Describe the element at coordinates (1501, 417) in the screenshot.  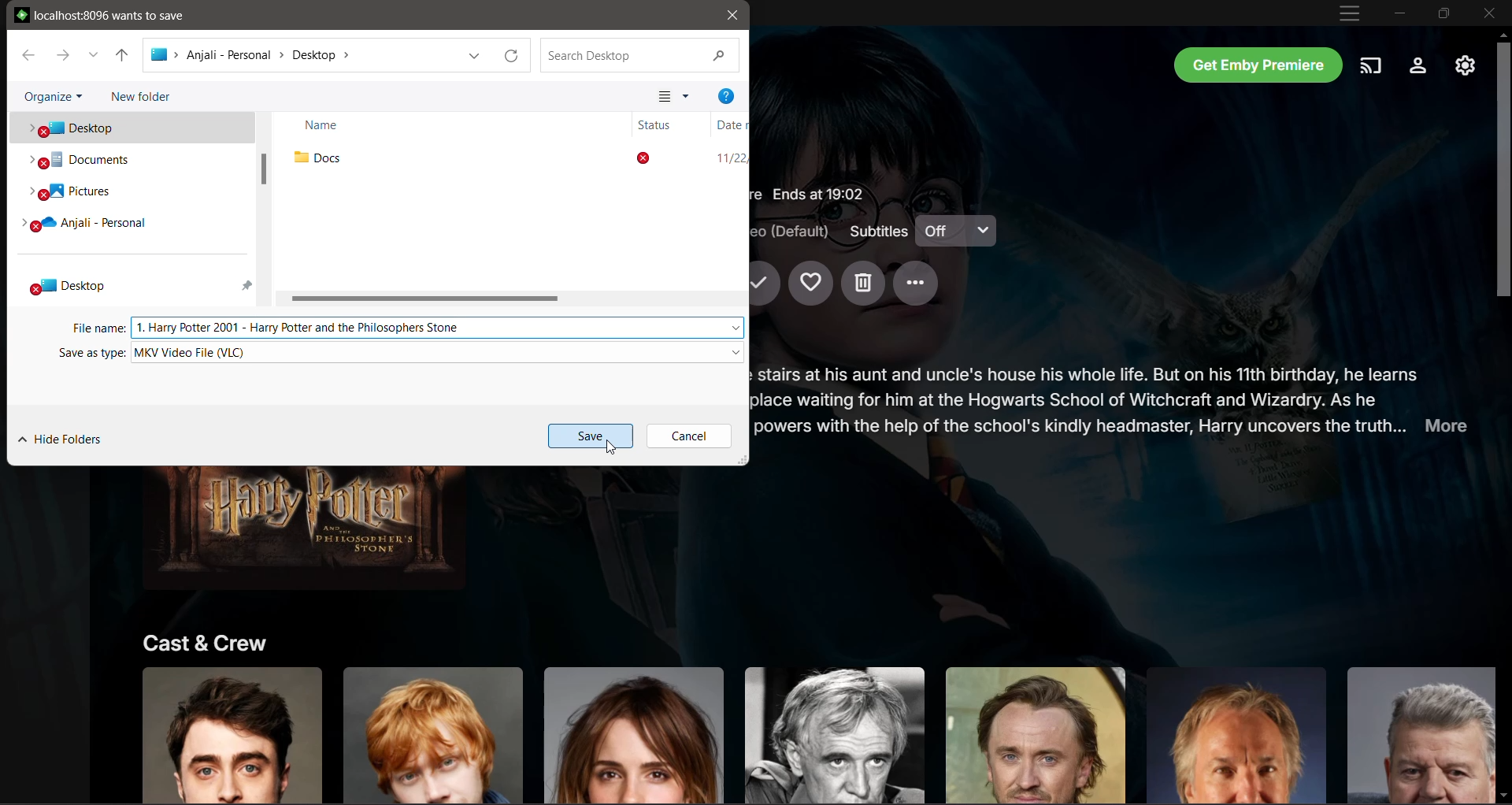
I see `Vertical Scroll Bar` at that location.